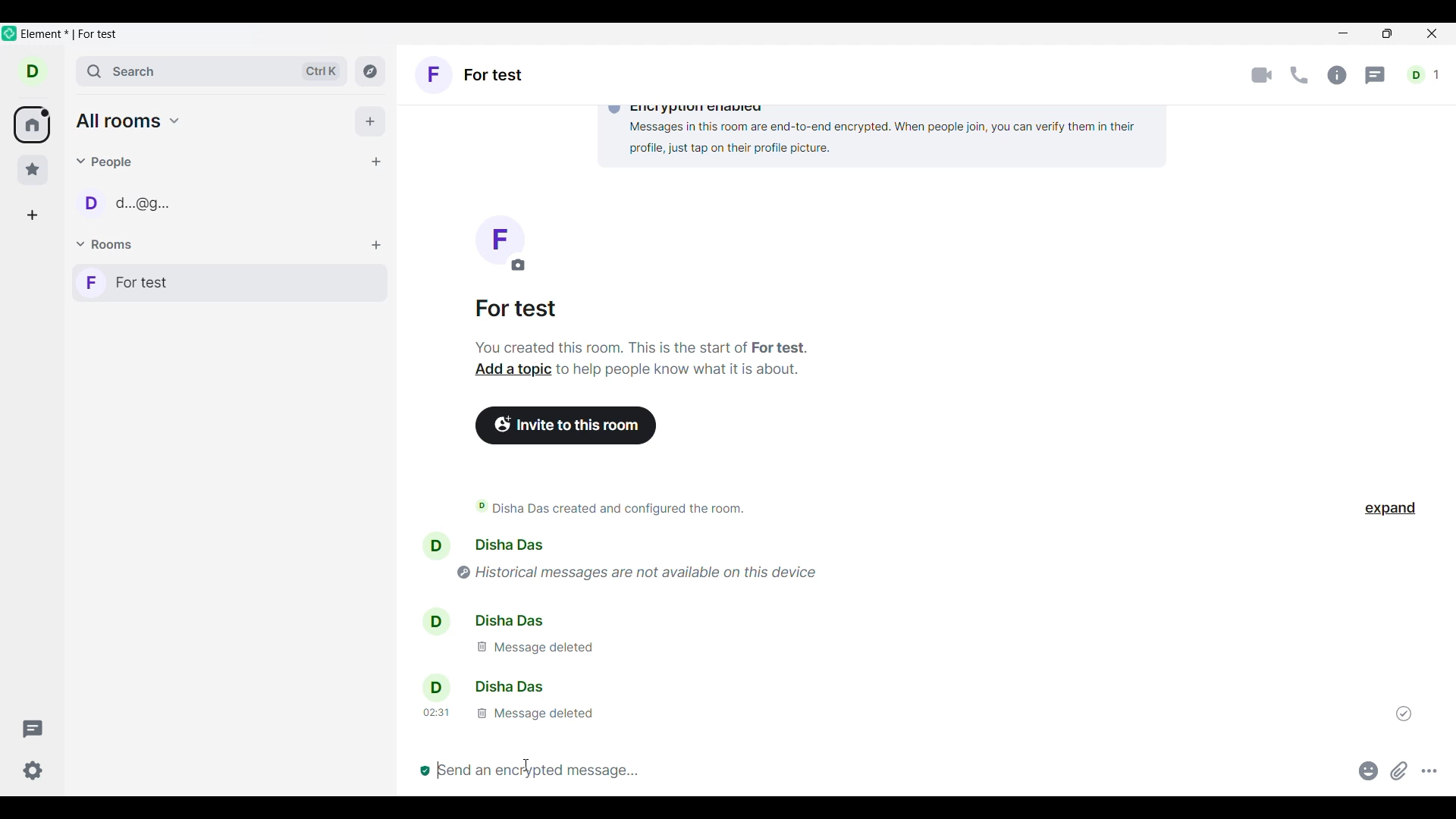 The width and height of the screenshot is (1456, 819). What do you see at coordinates (567, 425) in the screenshot?
I see `Invite to this room` at bounding box center [567, 425].